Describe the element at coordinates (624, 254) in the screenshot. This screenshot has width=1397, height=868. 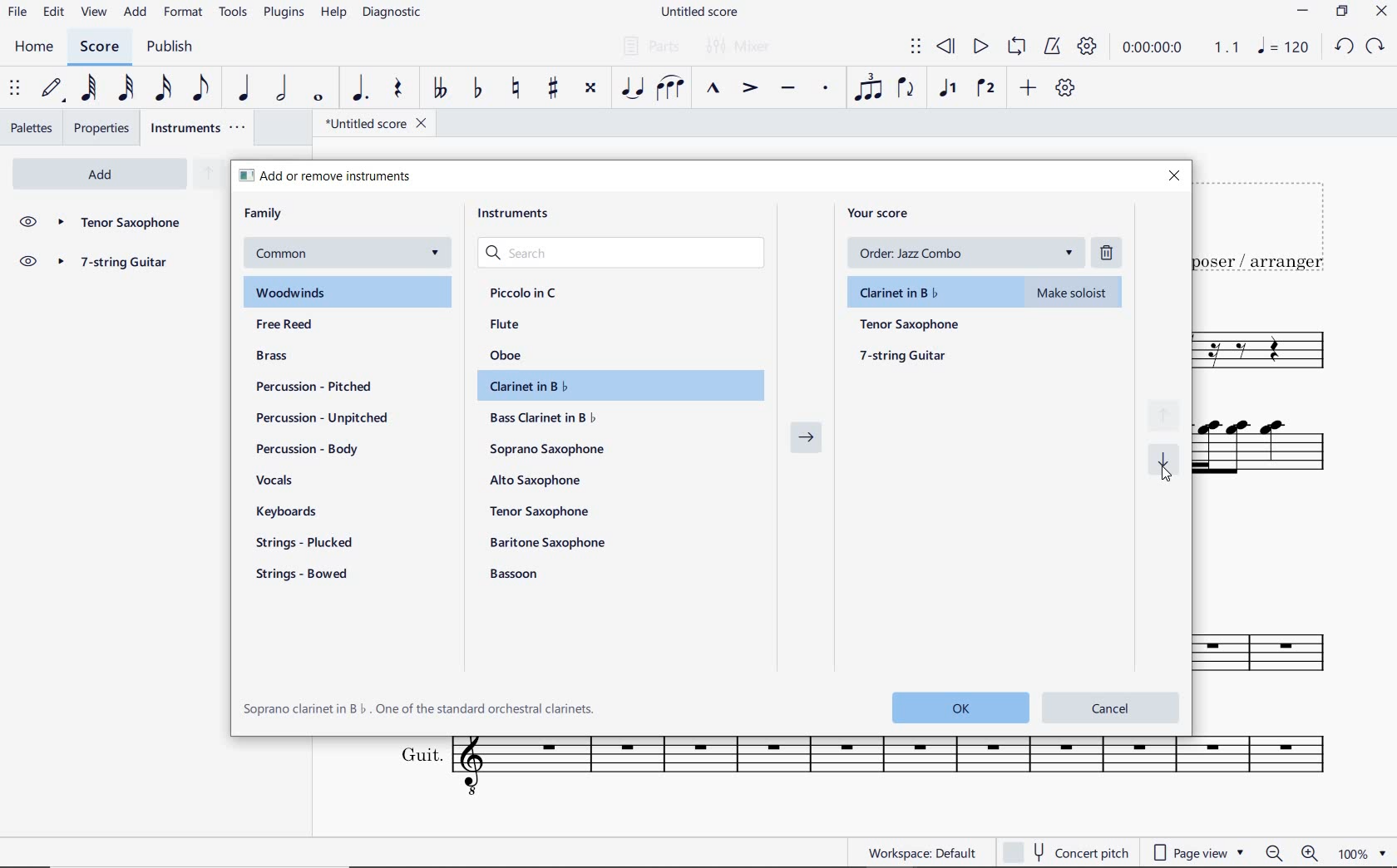
I see `search` at that location.